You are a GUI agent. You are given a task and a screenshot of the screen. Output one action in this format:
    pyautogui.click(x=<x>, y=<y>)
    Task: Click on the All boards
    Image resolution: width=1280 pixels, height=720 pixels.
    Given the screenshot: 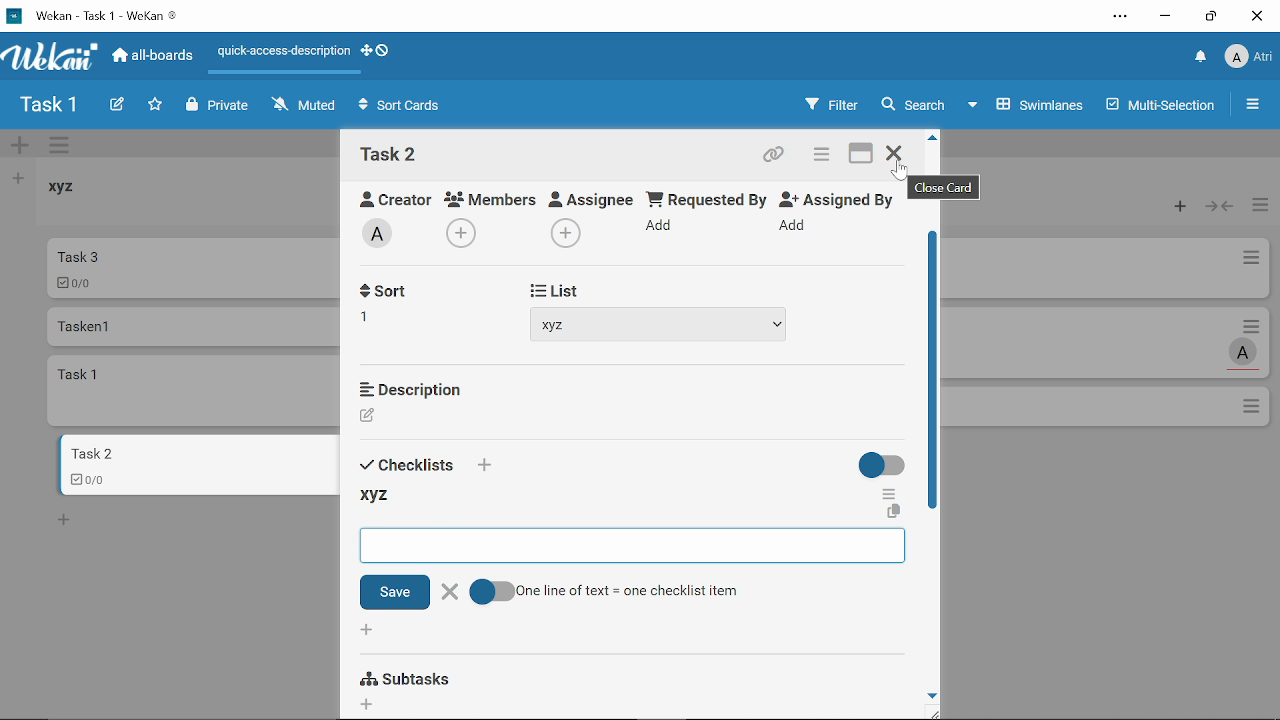 What is the action you would take?
    pyautogui.click(x=154, y=55)
    